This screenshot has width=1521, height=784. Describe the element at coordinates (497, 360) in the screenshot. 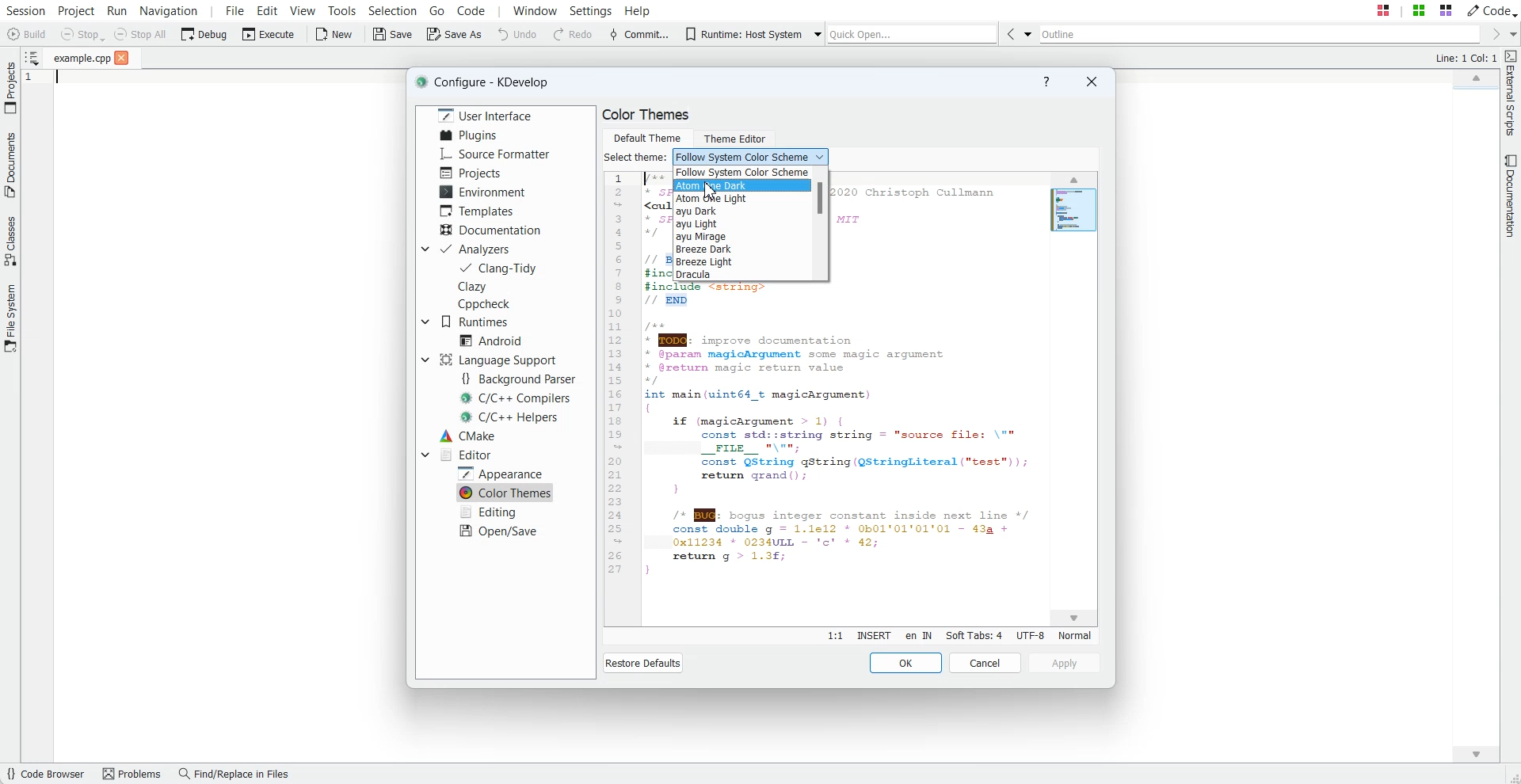

I see `Language Support` at that location.